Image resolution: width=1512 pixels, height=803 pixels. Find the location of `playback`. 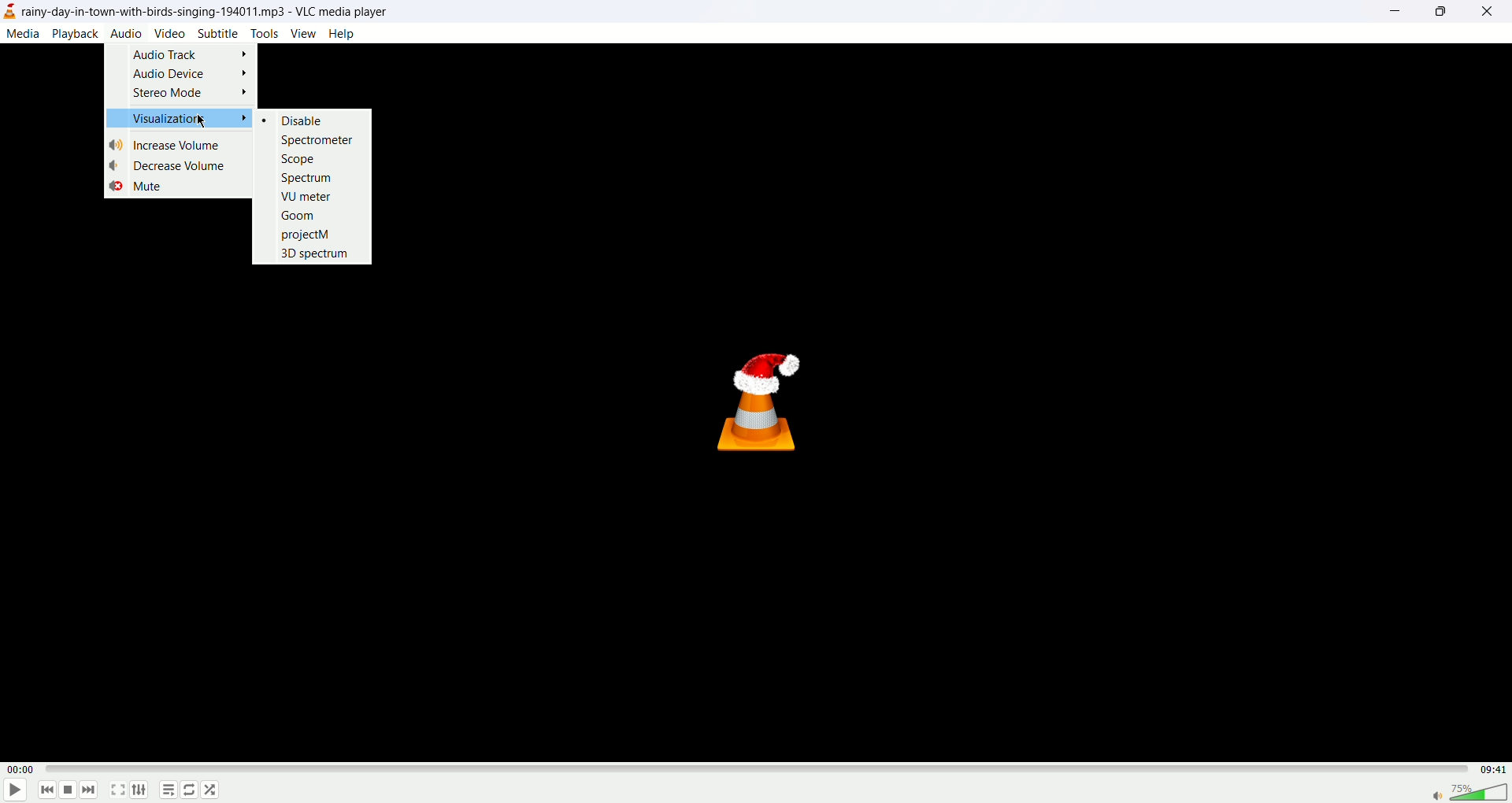

playback is located at coordinates (77, 33).